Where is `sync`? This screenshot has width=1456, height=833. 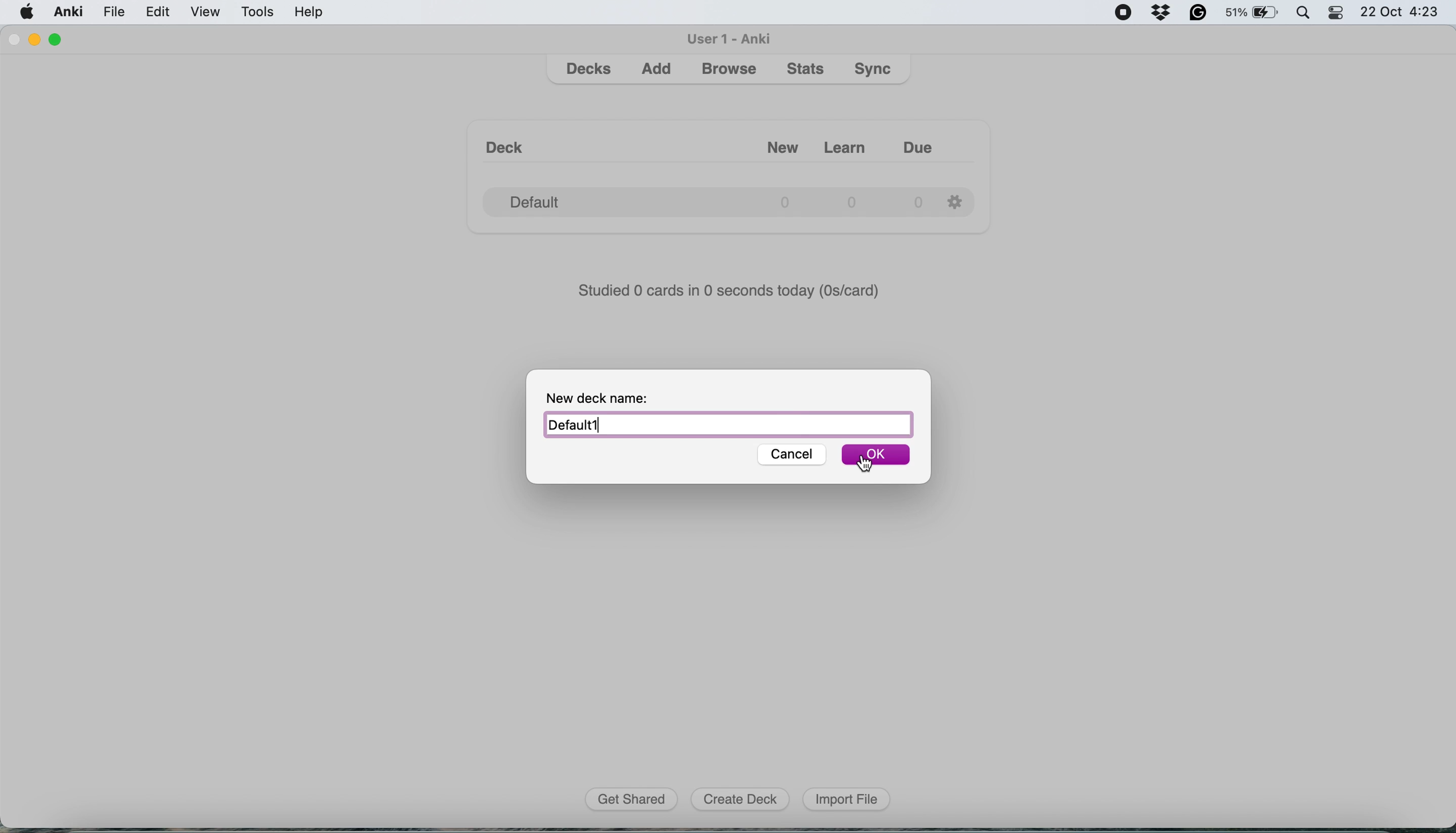 sync is located at coordinates (875, 70).